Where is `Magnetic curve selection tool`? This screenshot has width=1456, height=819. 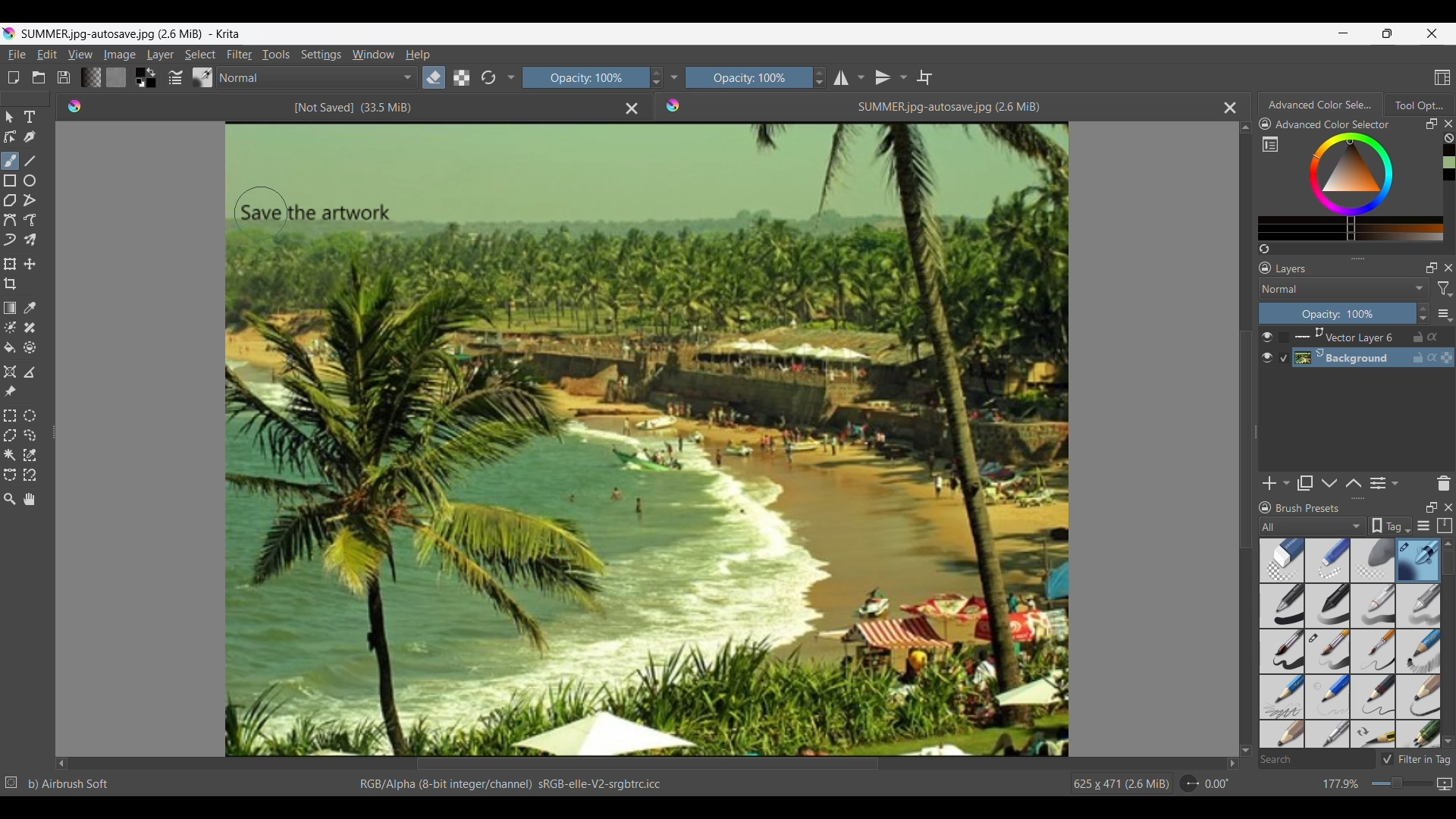
Magnetic curve selection tool is located at coordinates (30, 475).